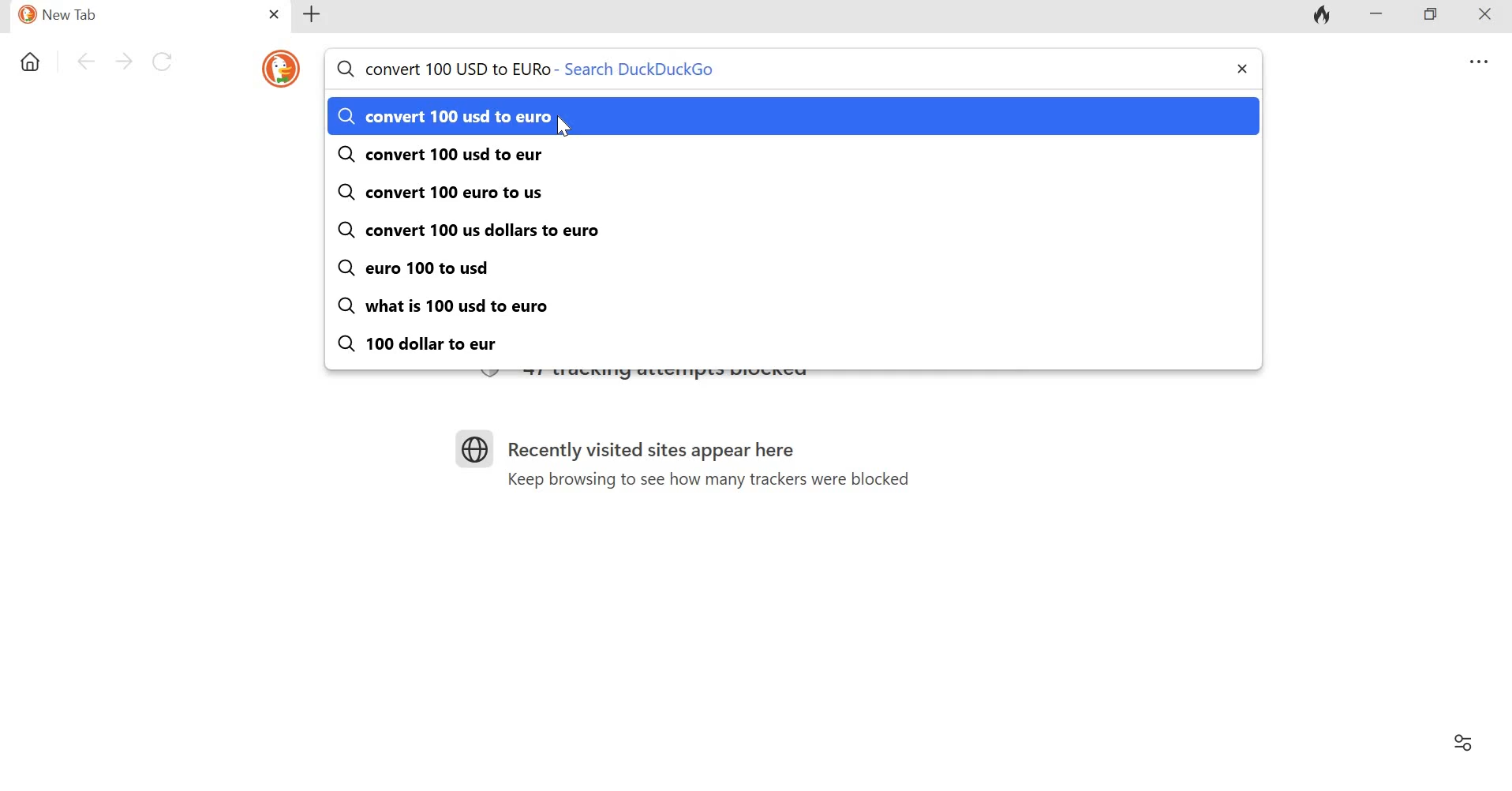  What do you see at coordinates (1438, 16) in the screenshot?
I see `Maximize` at bounding box center [1438, 16].